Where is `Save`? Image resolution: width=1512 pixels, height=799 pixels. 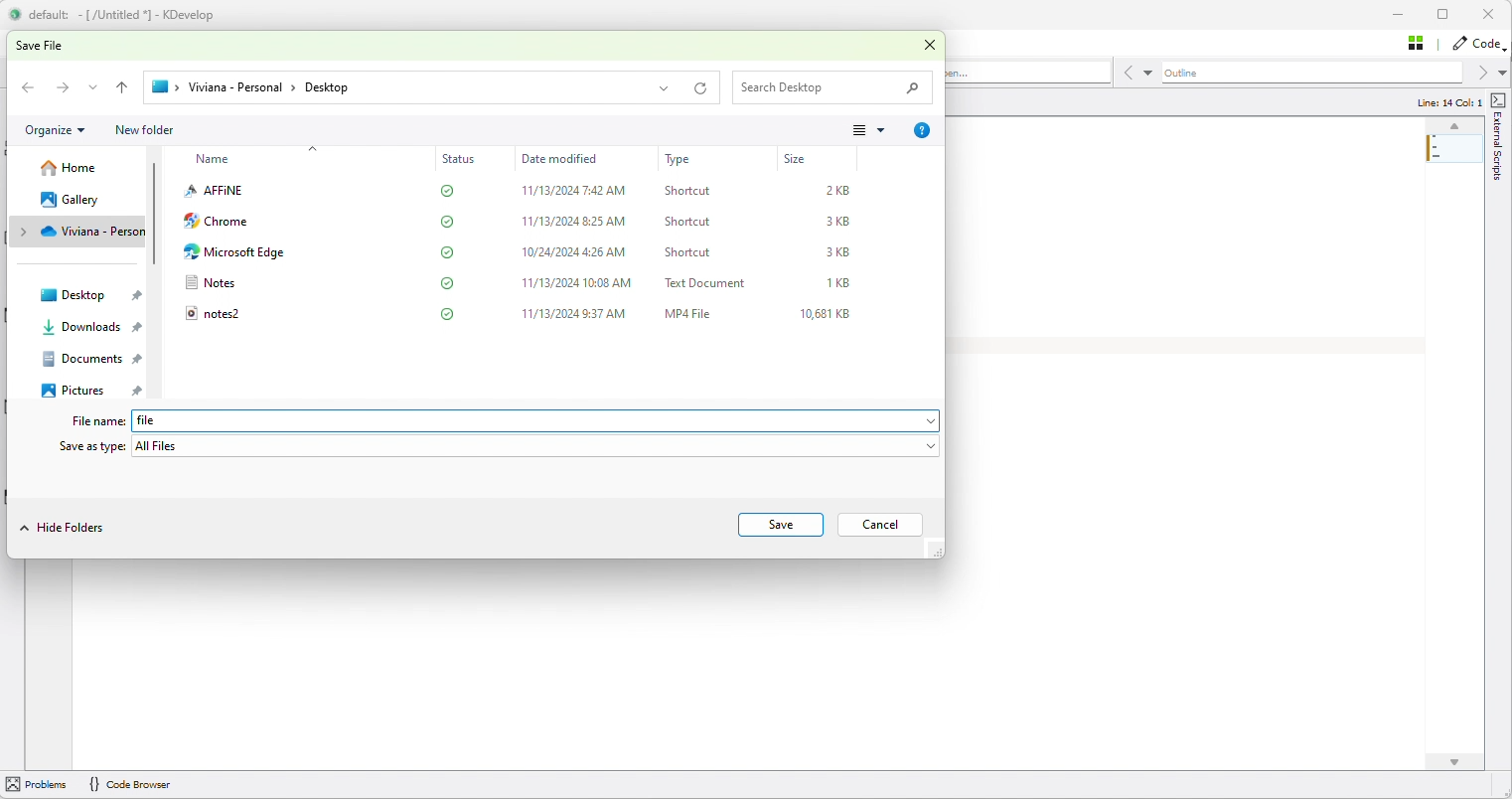
Save is located at coordinates (781, 525).